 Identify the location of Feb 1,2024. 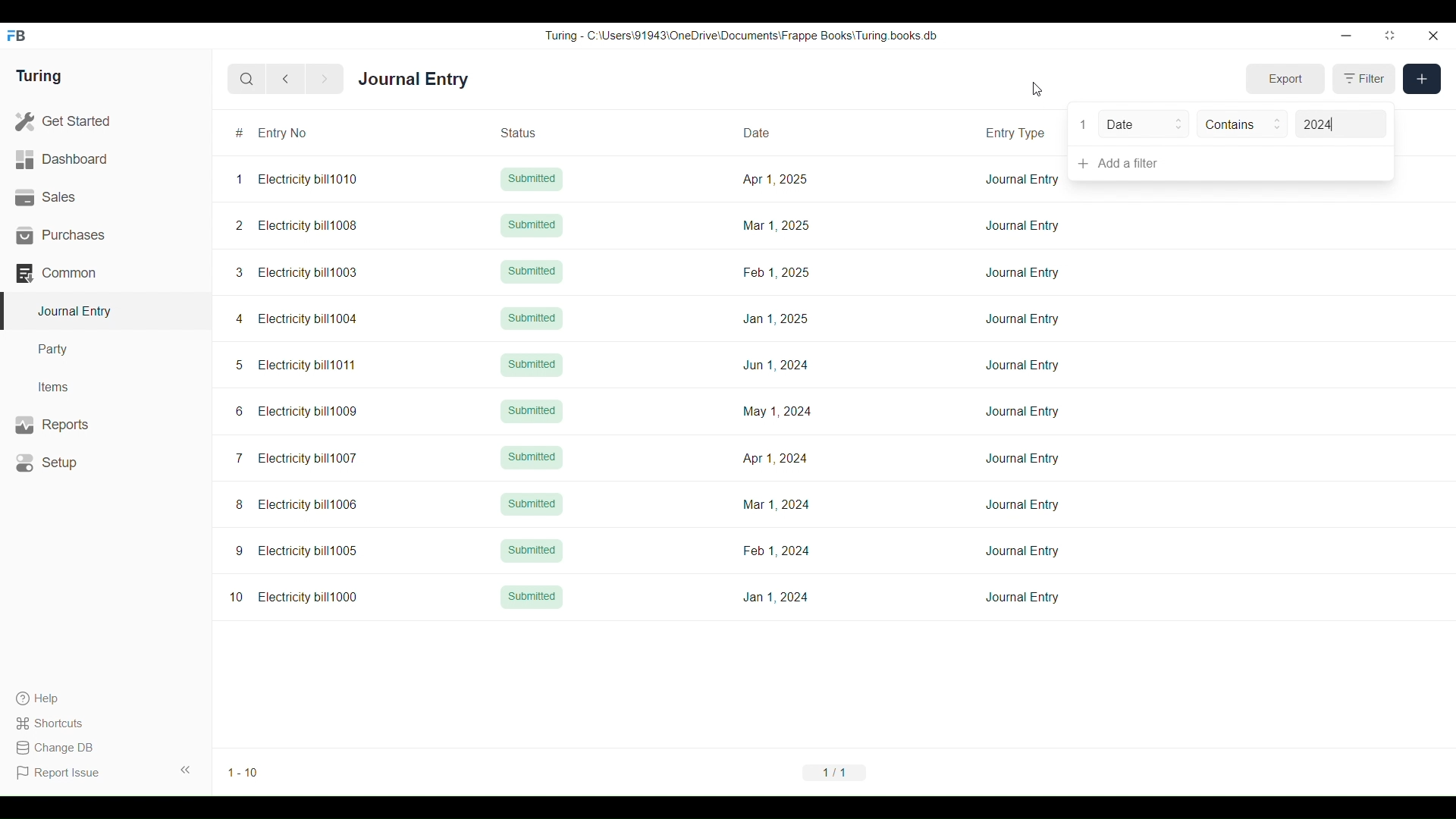
(776, 551).